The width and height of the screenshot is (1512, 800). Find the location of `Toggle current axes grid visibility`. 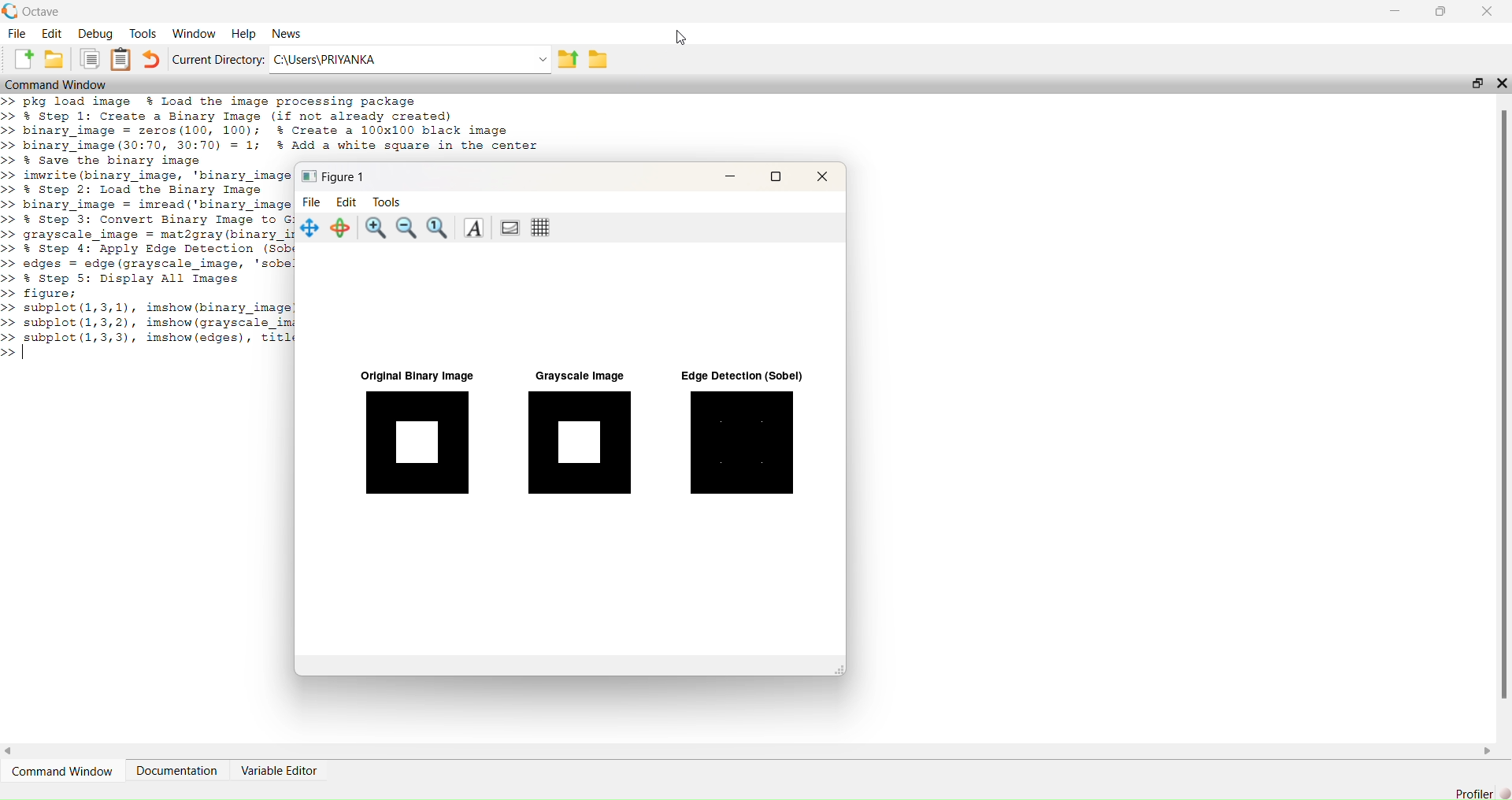

Toggle current axes grid visibility is located at coordinates (541, 227).